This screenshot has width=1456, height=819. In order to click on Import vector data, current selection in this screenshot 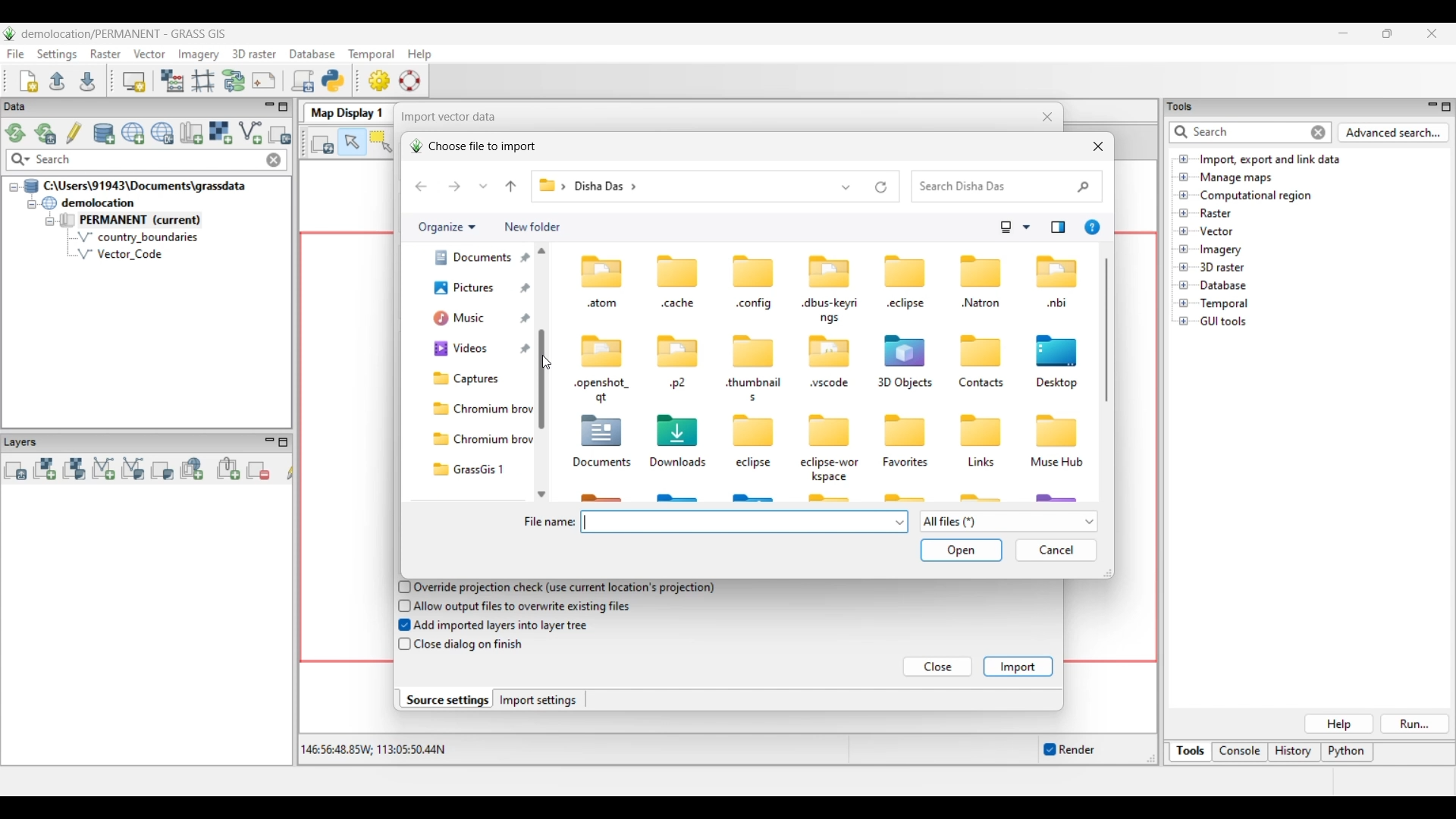, I will do `click(250, 133)`.